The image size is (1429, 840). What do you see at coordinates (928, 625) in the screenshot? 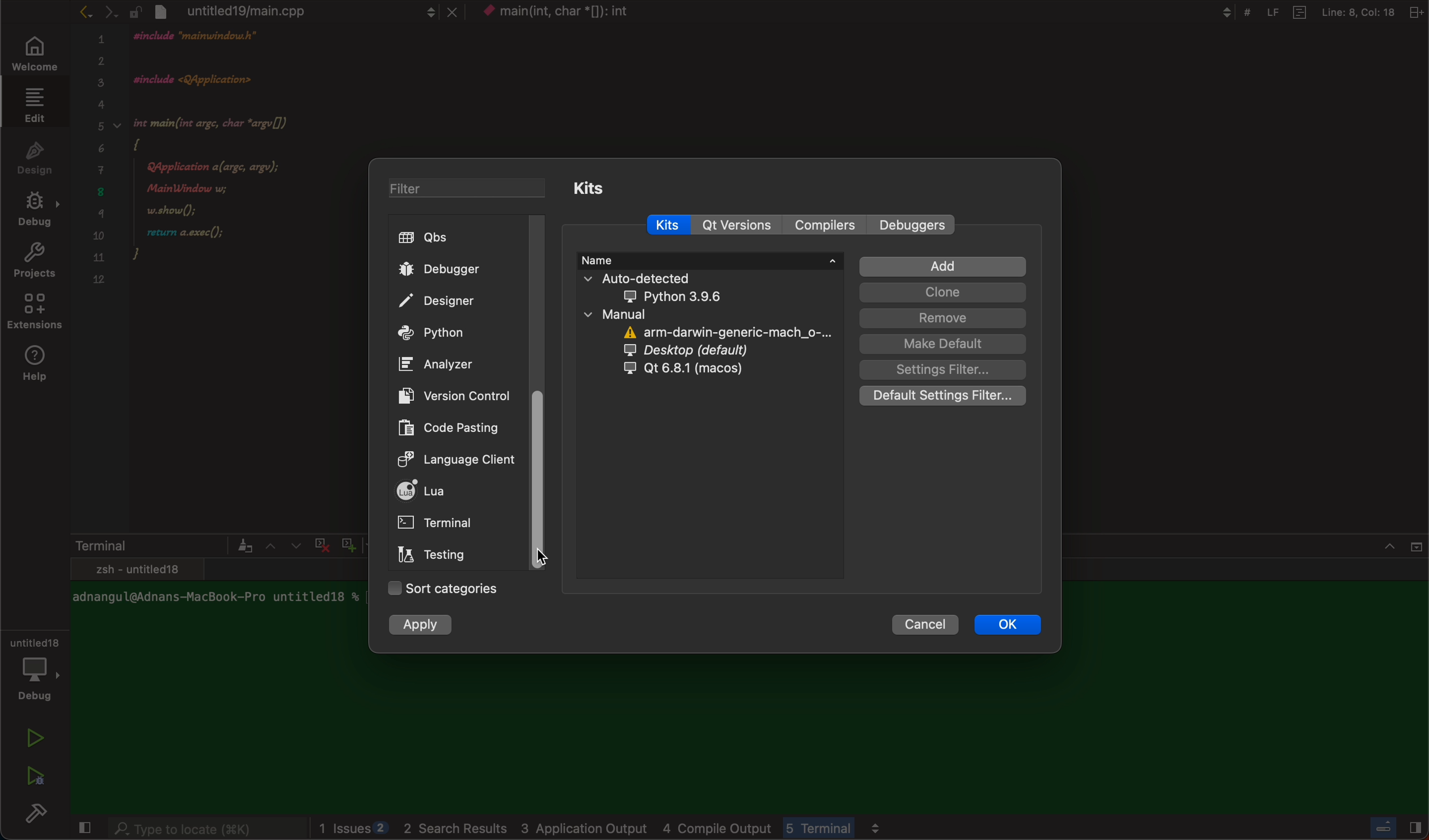
I see `cancel` at bounding box center [928, 625].